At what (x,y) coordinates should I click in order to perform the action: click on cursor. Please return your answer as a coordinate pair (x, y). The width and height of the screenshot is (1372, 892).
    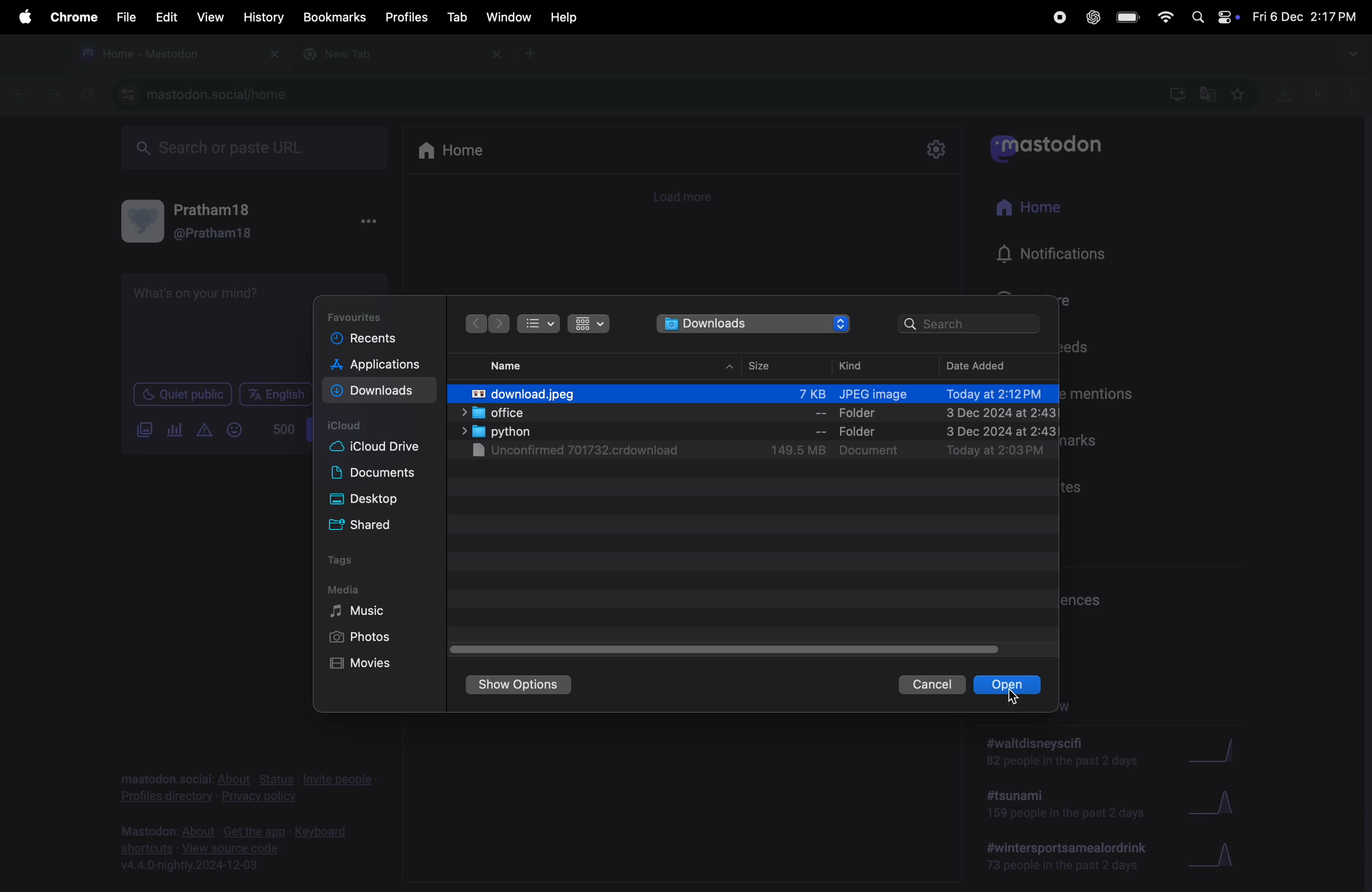
    Looking at the image, I should click on (1012, 697).